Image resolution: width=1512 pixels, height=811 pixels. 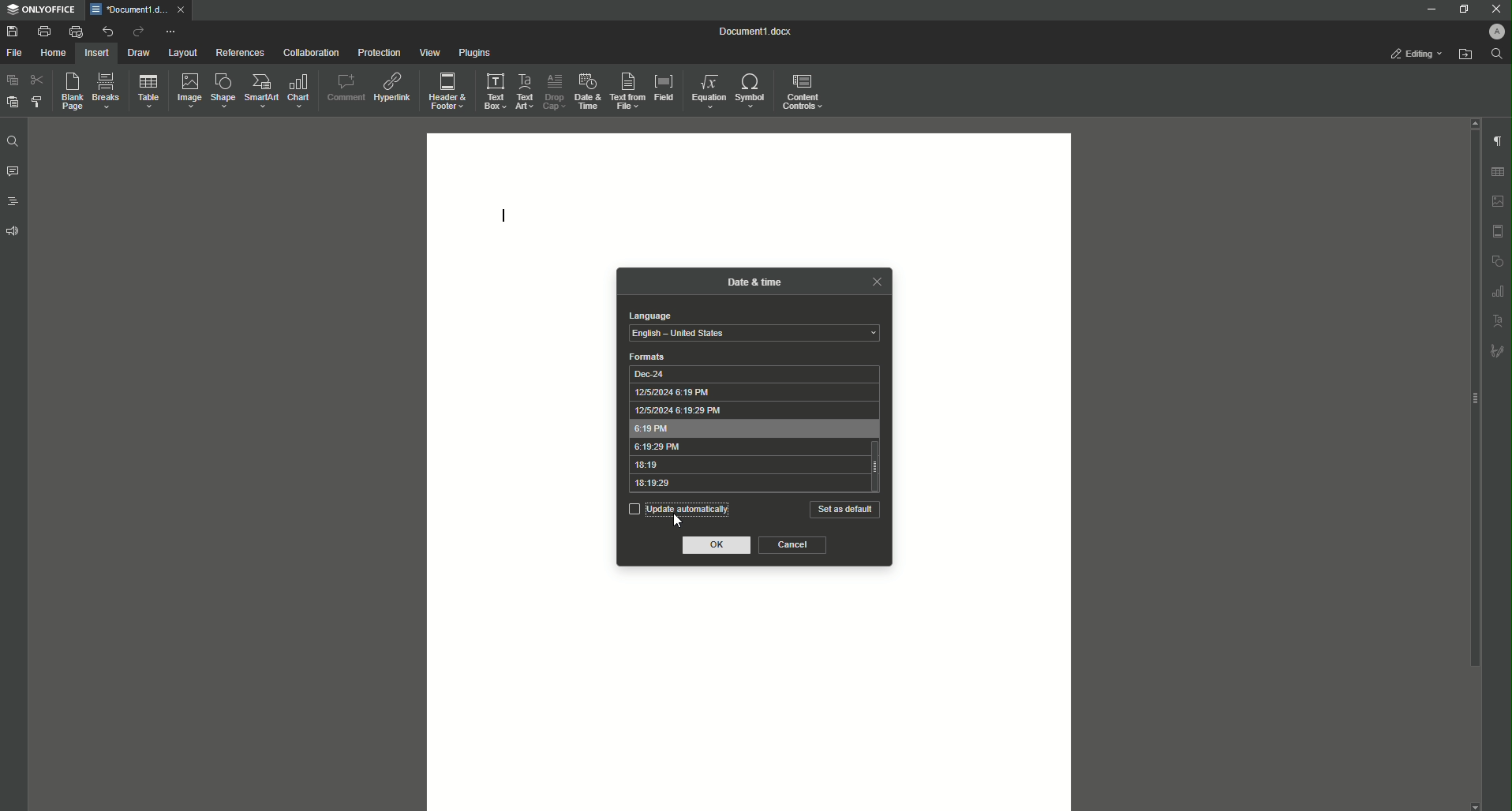 What do you see at coordinates (1497, 349) in the screenshot?
I see `signature settings` at bounding box center [1497, 349].